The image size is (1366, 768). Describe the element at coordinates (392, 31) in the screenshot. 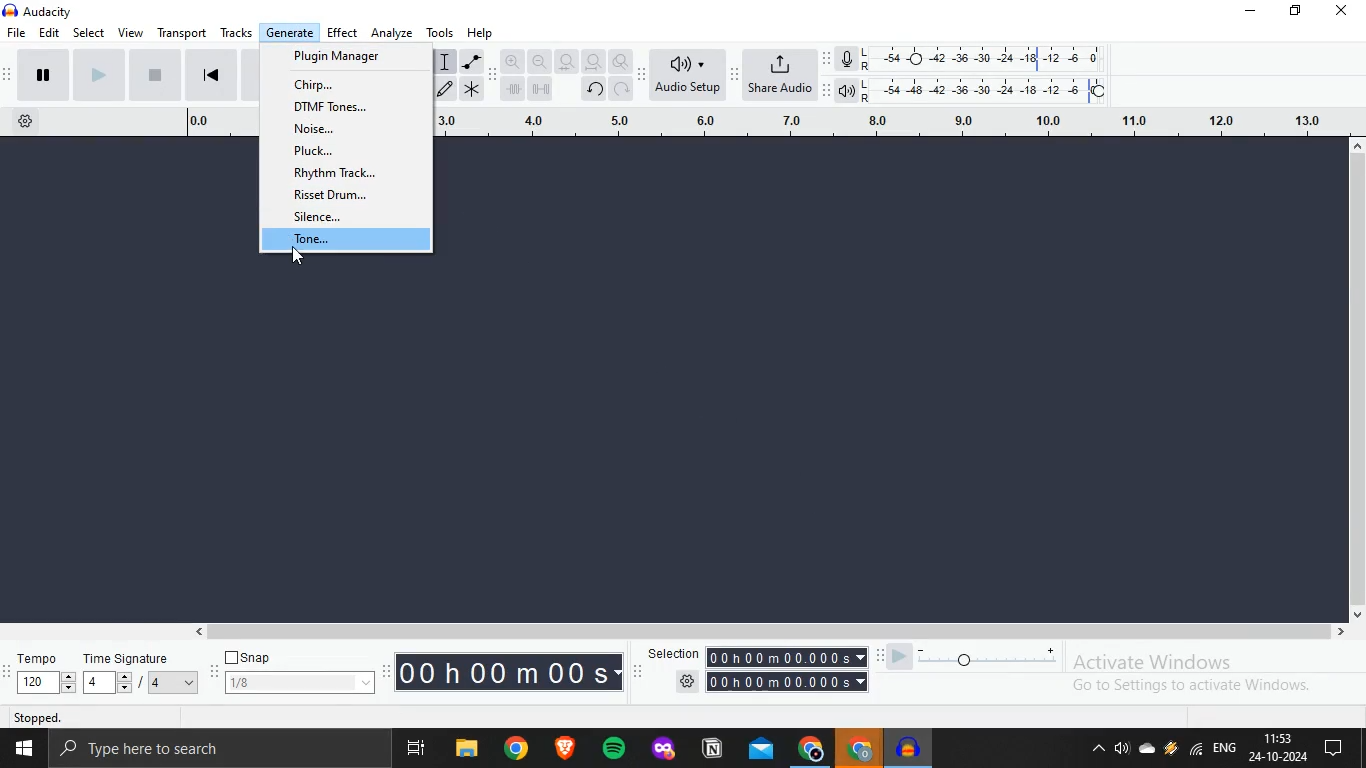

I see `Analyze` at that location.